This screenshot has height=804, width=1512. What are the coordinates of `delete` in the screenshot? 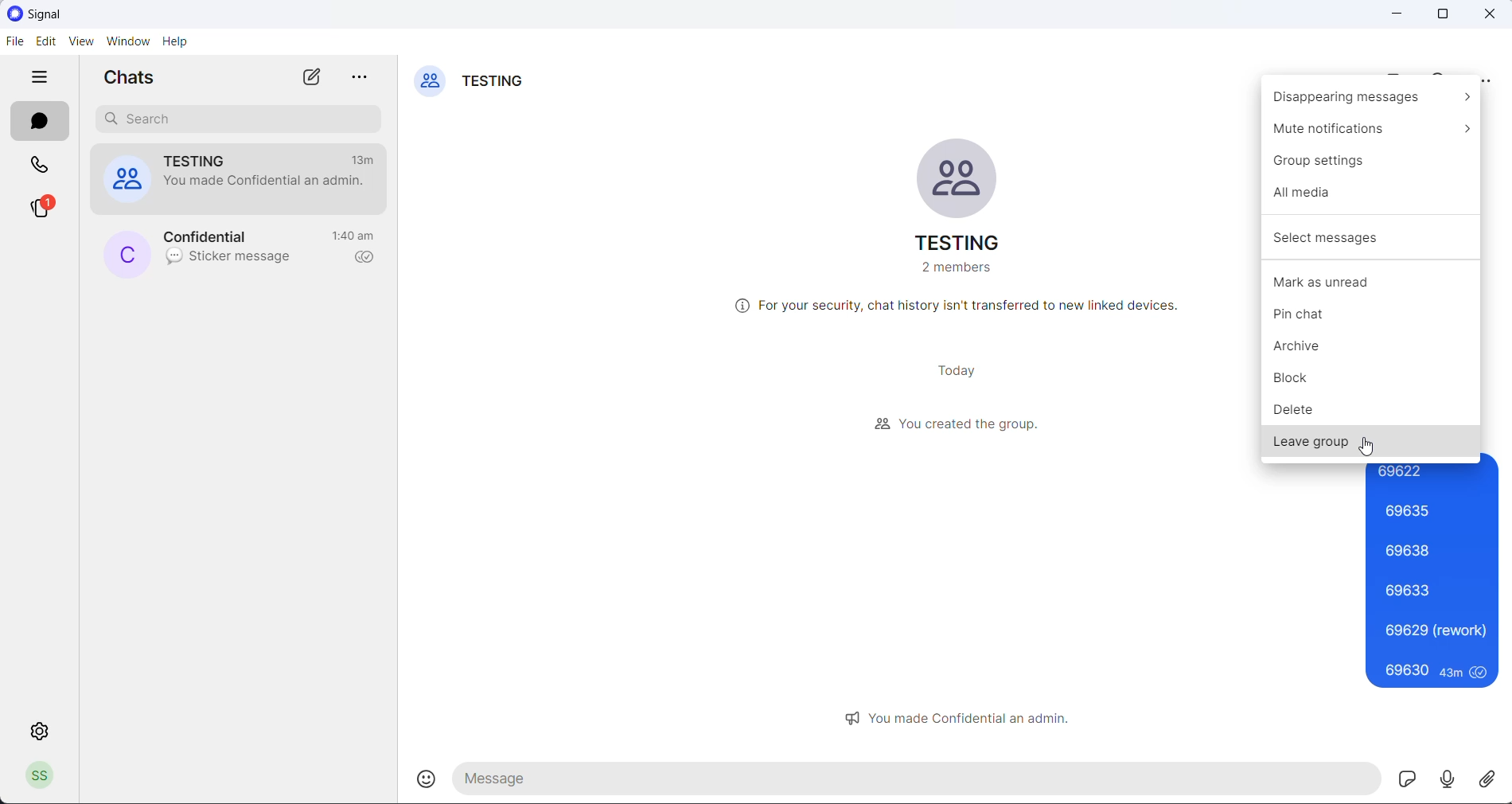 It's located at (1370, 408).